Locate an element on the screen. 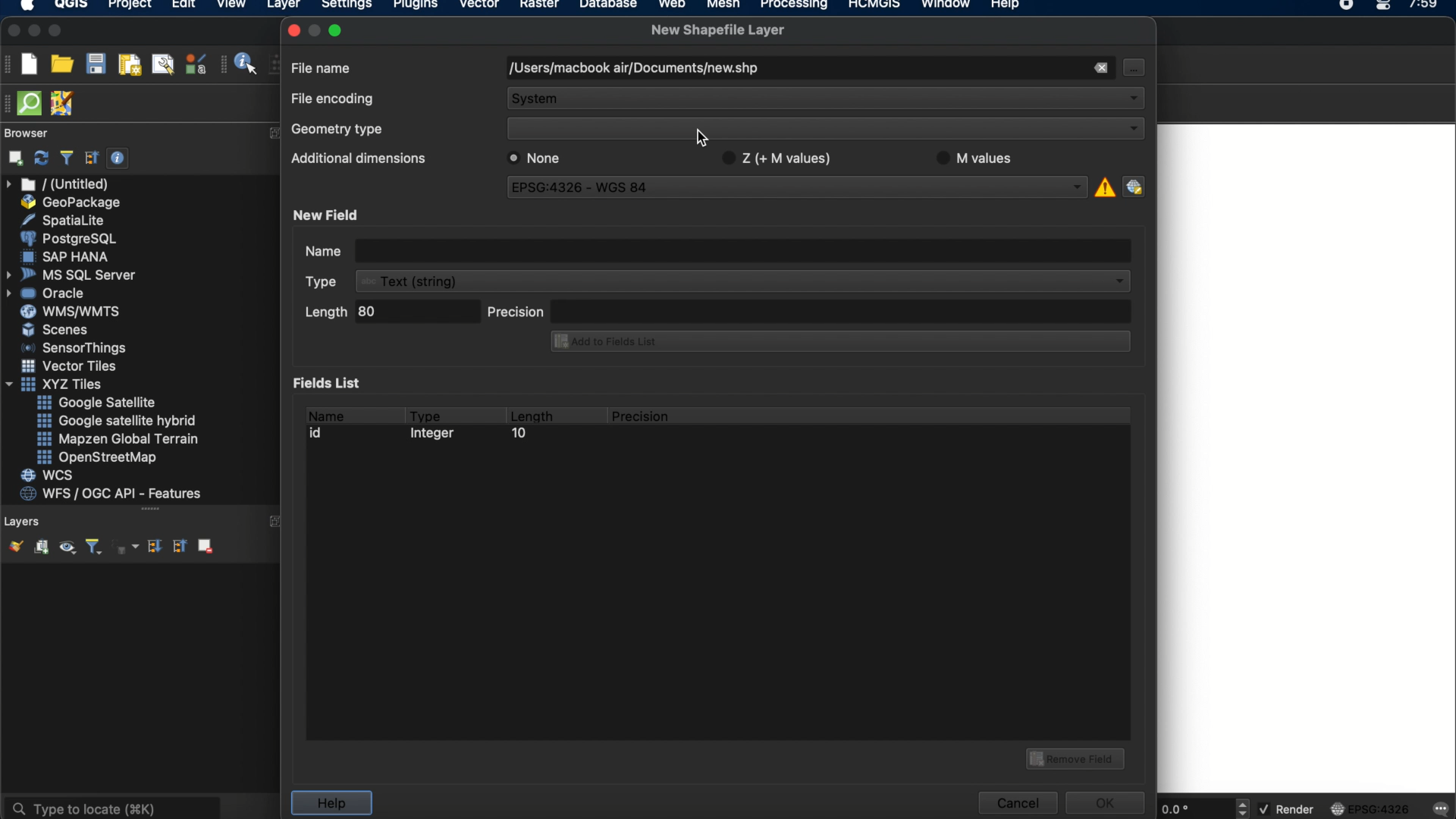 Image resolution: width=1456 pixels, height=819 pixels. current crs is located at coordinates (1370, 808).